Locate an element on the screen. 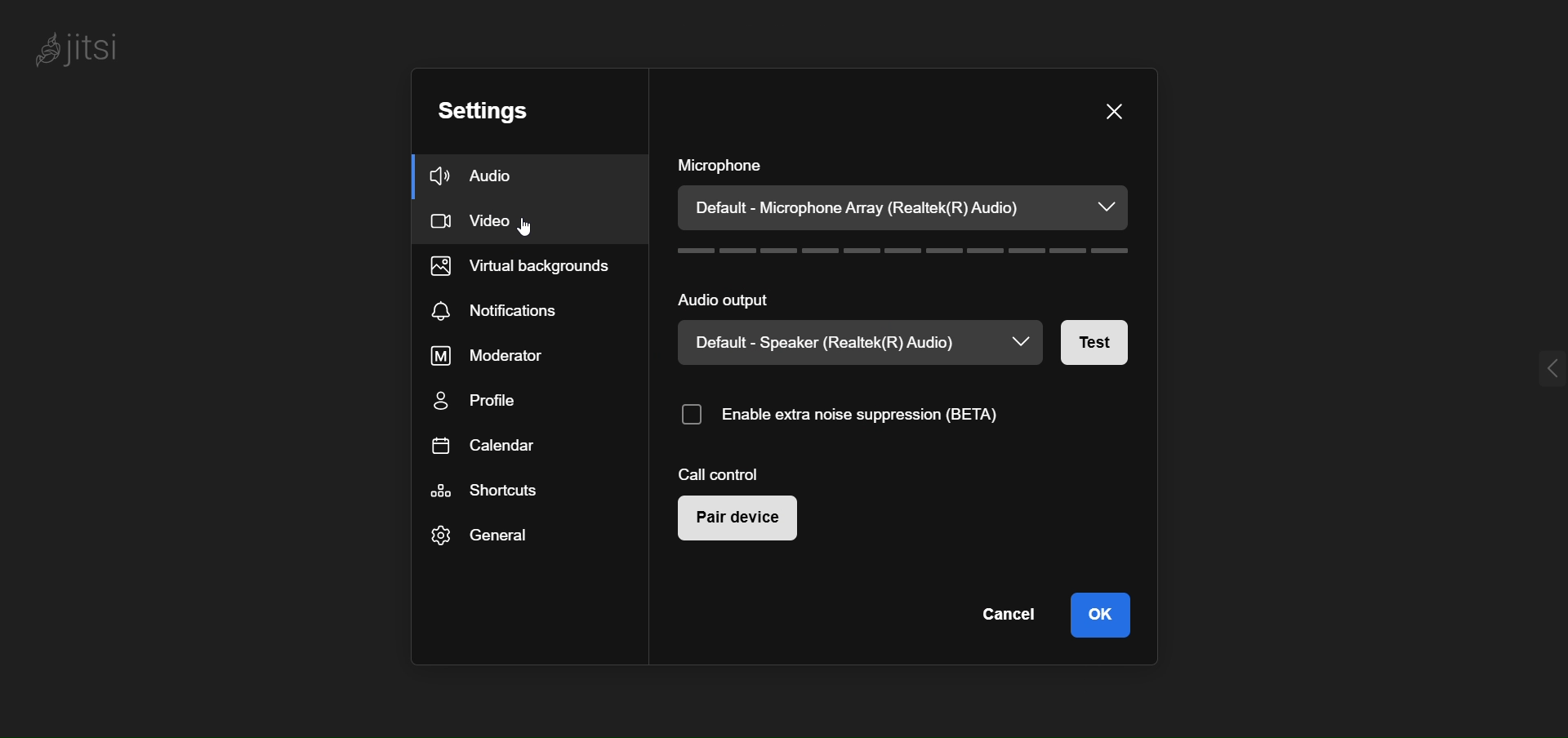 The width and height of the screenshot is (1568, 738). audio output is located at coordinates (734, 300).